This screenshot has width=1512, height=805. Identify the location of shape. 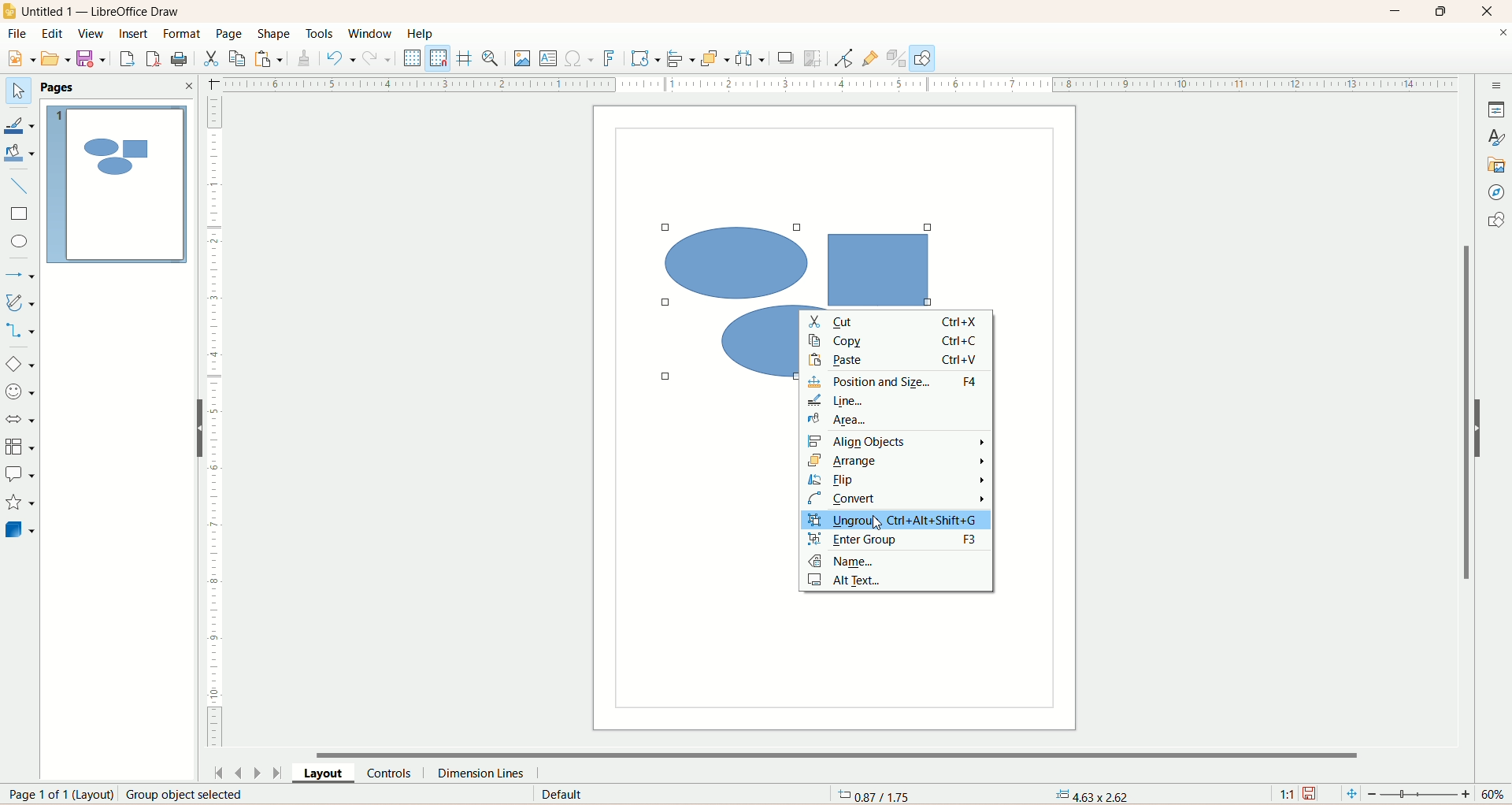
(273, 34).